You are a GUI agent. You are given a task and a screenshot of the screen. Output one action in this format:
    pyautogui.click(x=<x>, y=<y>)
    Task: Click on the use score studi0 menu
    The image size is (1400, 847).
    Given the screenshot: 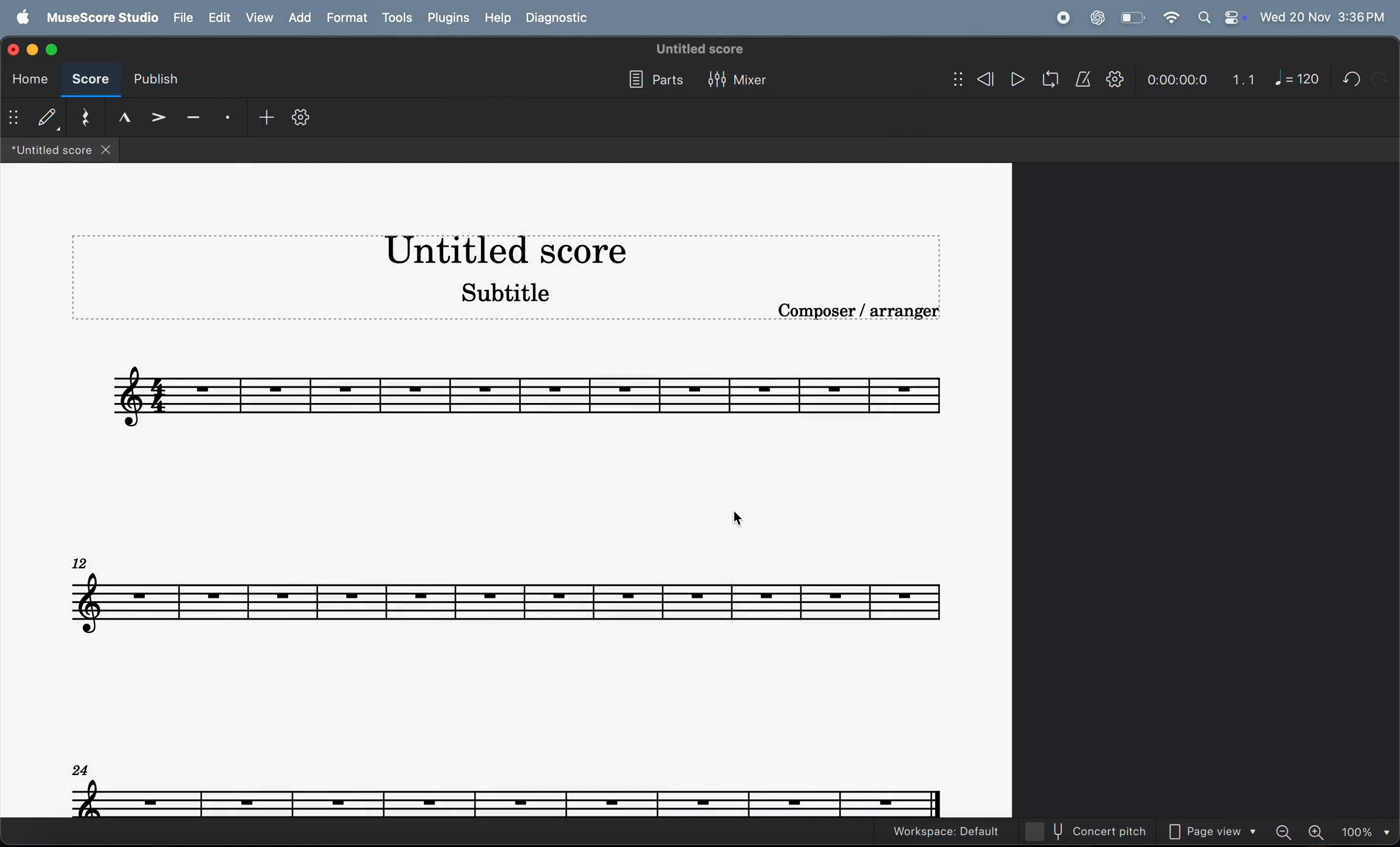 What is the action you would take?
    pyautogui.click(x=99, y=18)
    